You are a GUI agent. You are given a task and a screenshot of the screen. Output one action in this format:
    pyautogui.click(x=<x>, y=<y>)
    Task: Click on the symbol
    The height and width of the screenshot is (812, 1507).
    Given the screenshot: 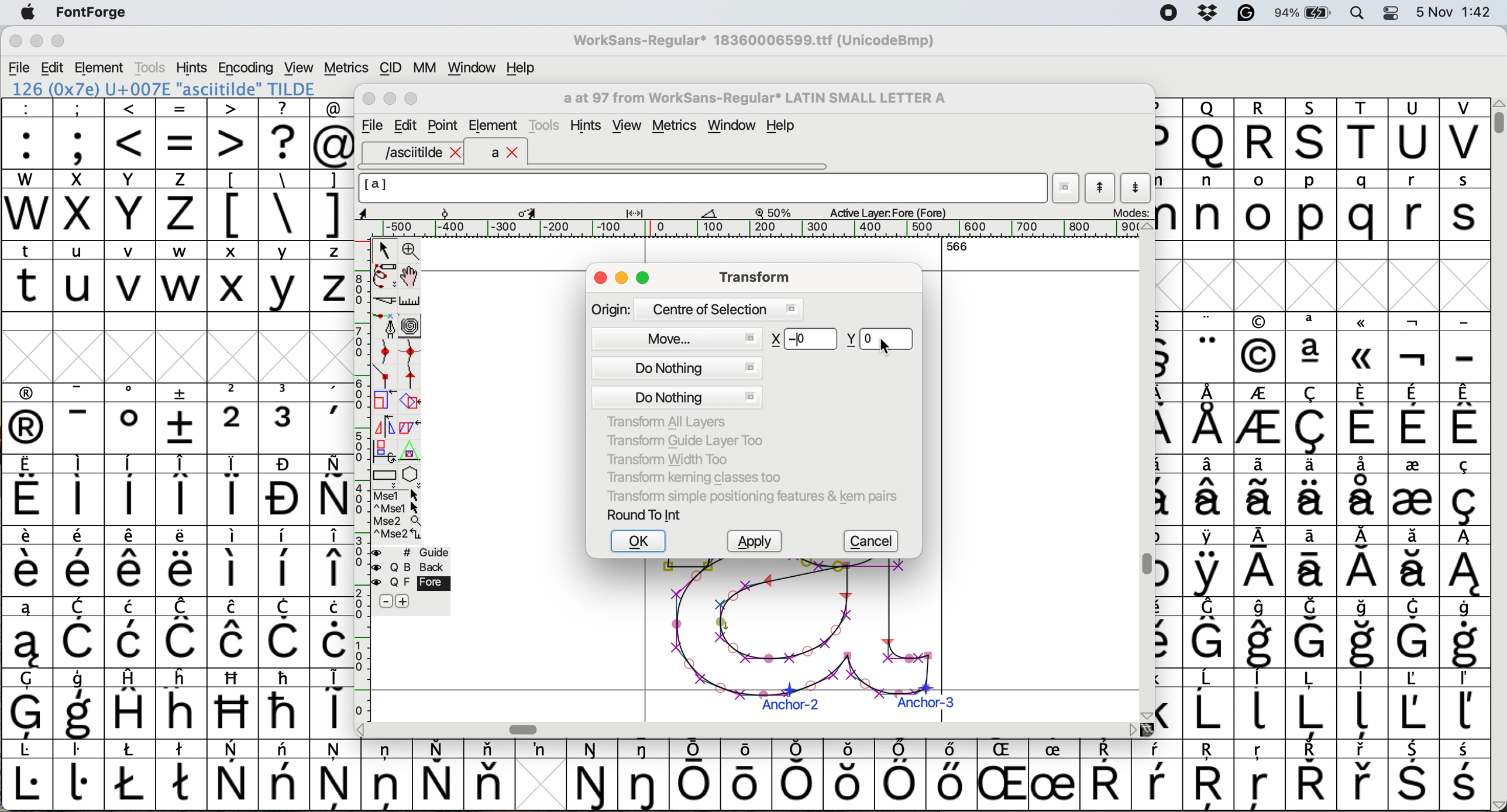 What is the action you would take?
    pyautogui.click(x=1364, y=776)
    